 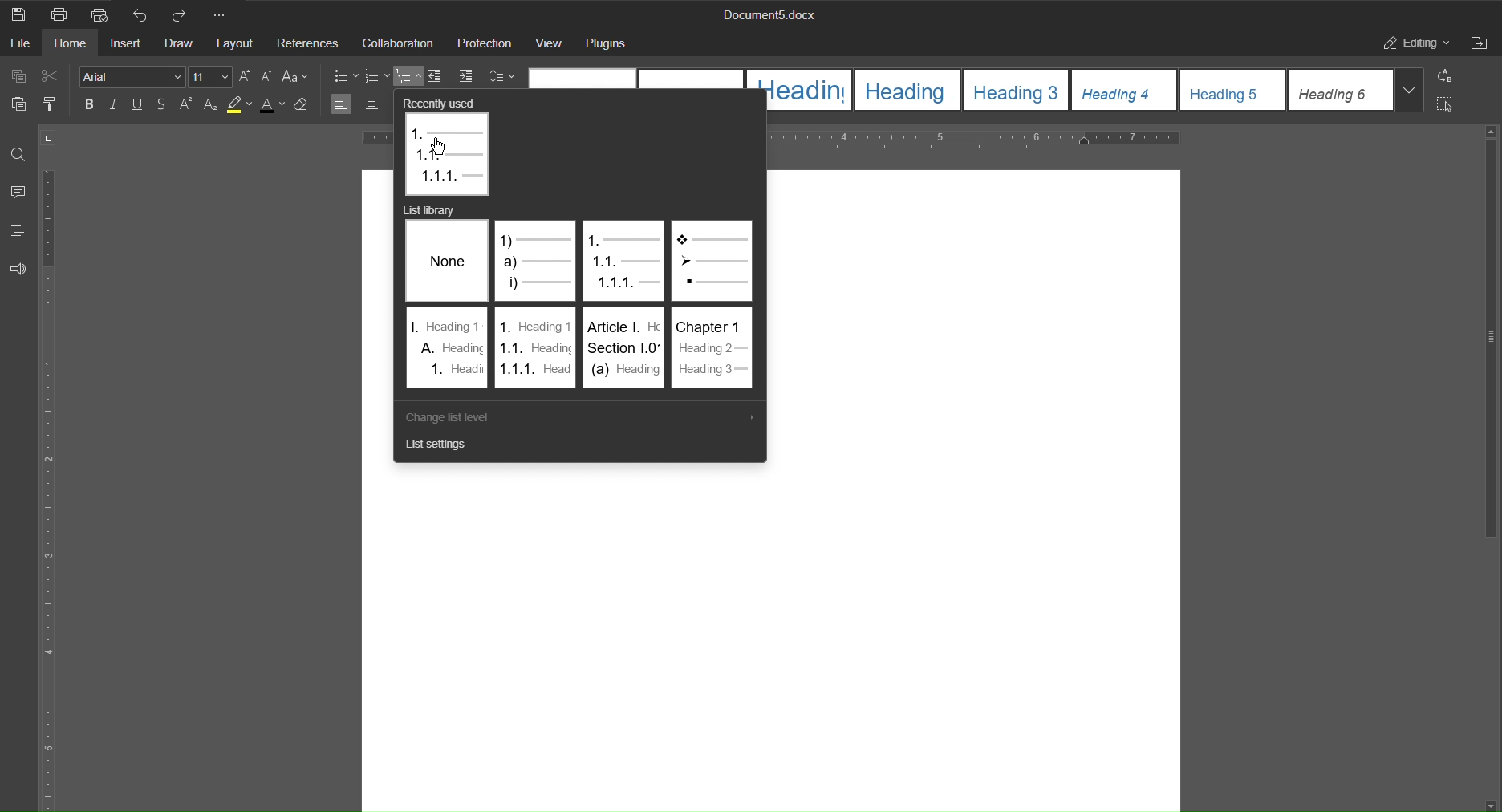 What do you see at coordinates (18, 14) in the screenshot?
I see `Save` at bounding box center [18, 14].